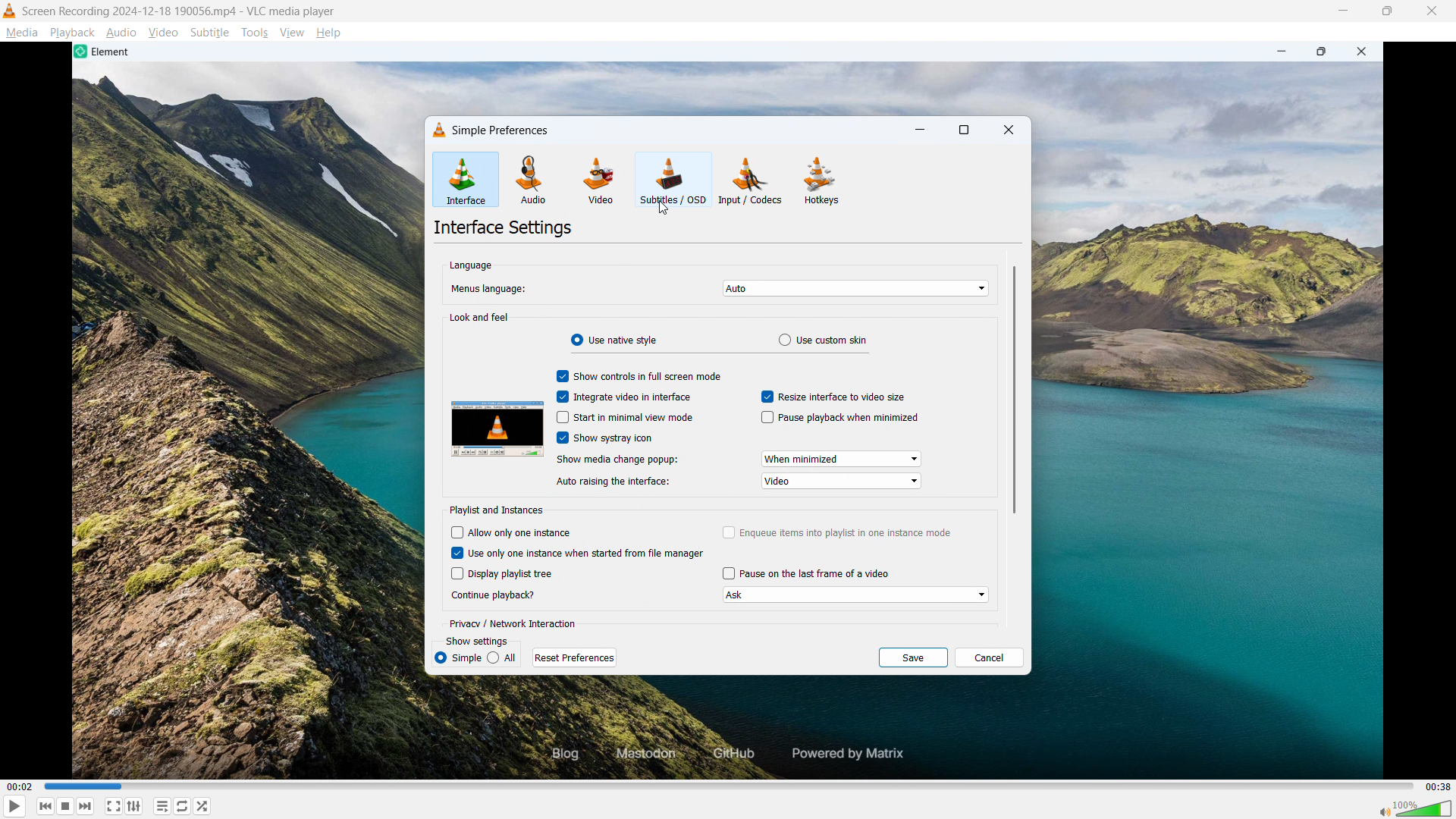 The height and width of the screenshot is (819, 1456). I want to click on Show settings , so click(476, 642).